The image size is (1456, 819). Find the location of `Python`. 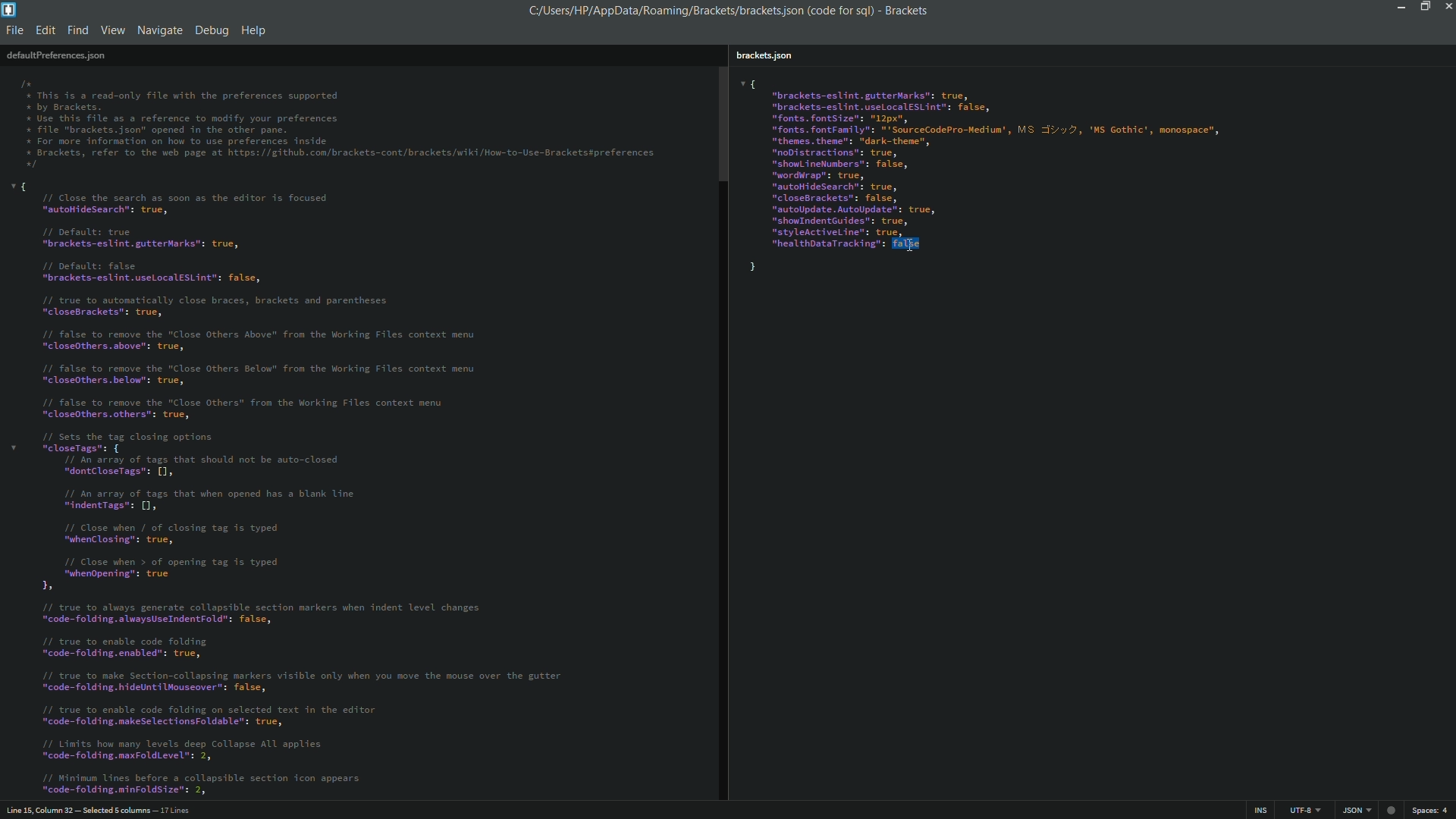

Python is located at coordinates (1354, 811).